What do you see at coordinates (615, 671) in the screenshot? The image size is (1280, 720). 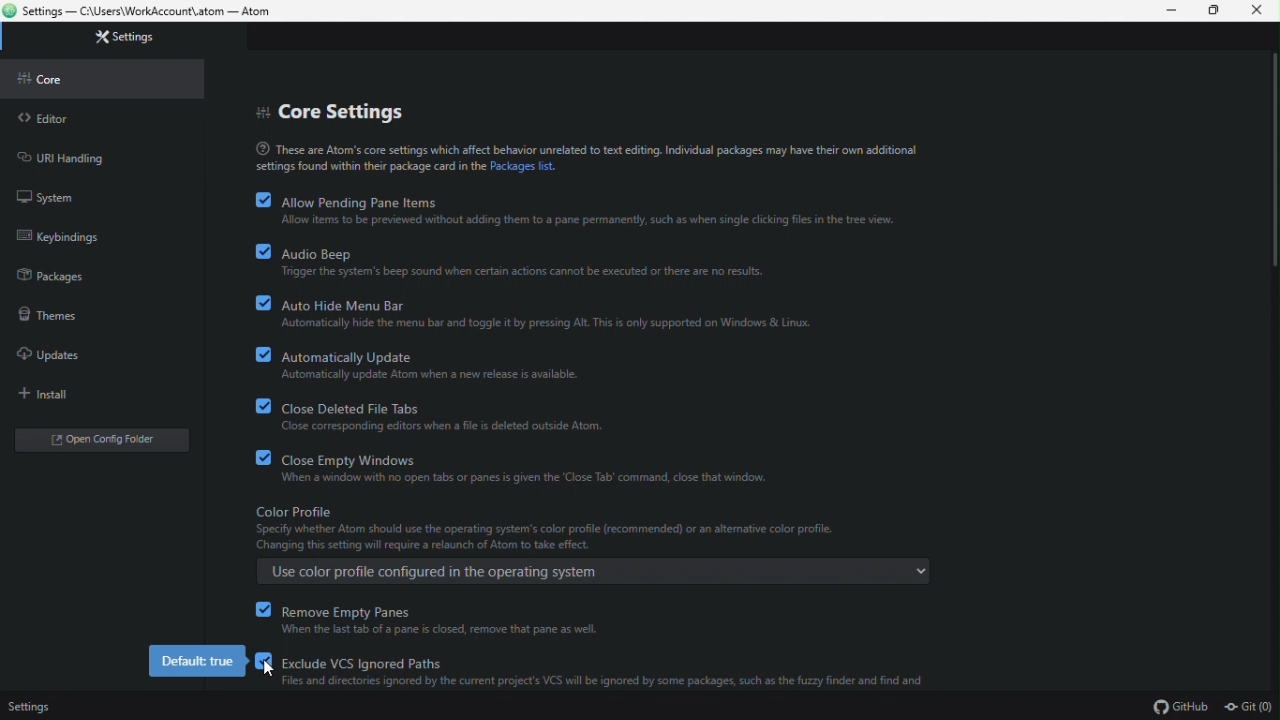 I see `exclude vcs ignored paths (enabled) ` at bounding box center [615, 671].